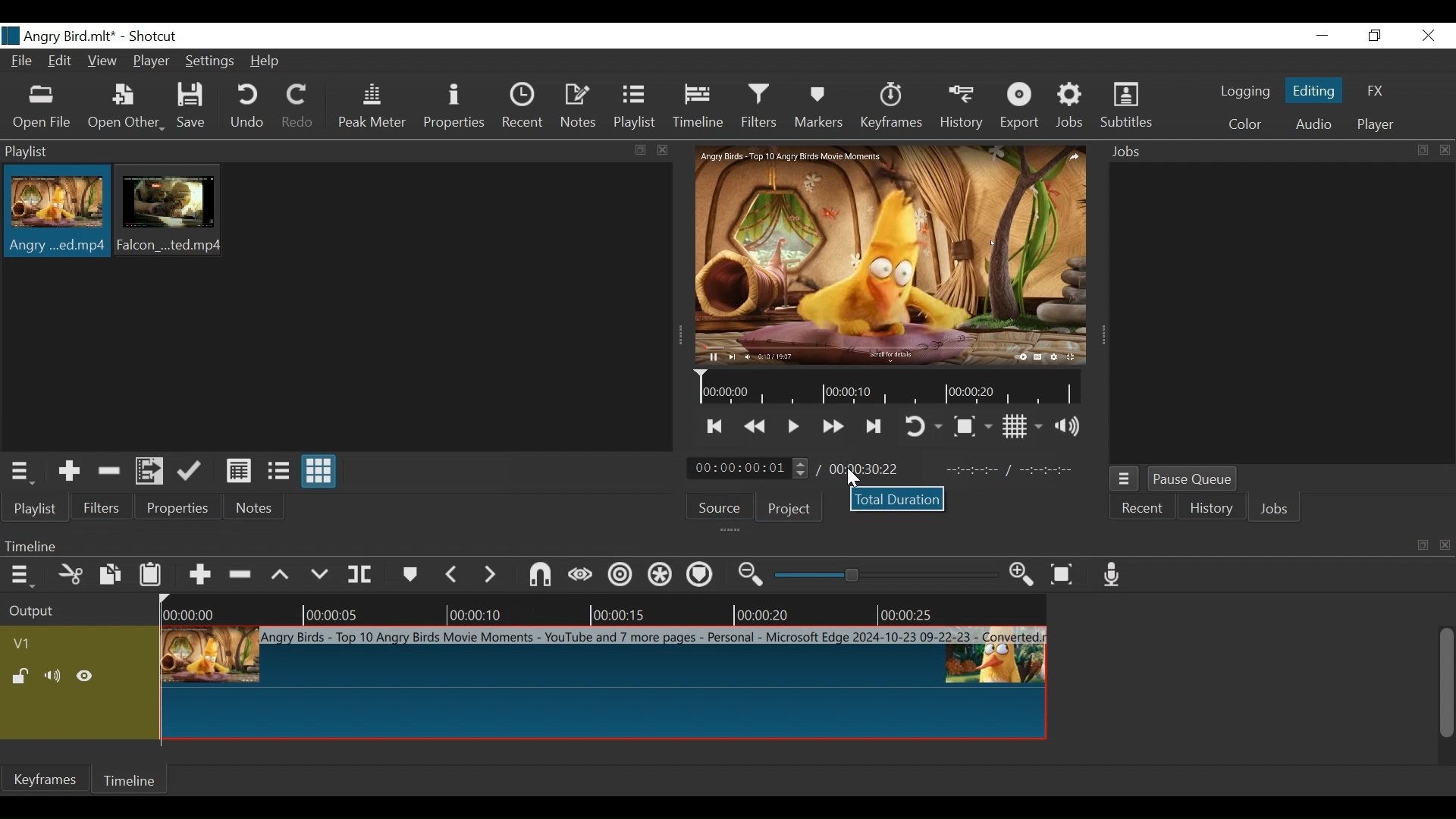  Describe the element at coordinates (924, 427) in the screenshot. I see `Toggle player looping` at that location.